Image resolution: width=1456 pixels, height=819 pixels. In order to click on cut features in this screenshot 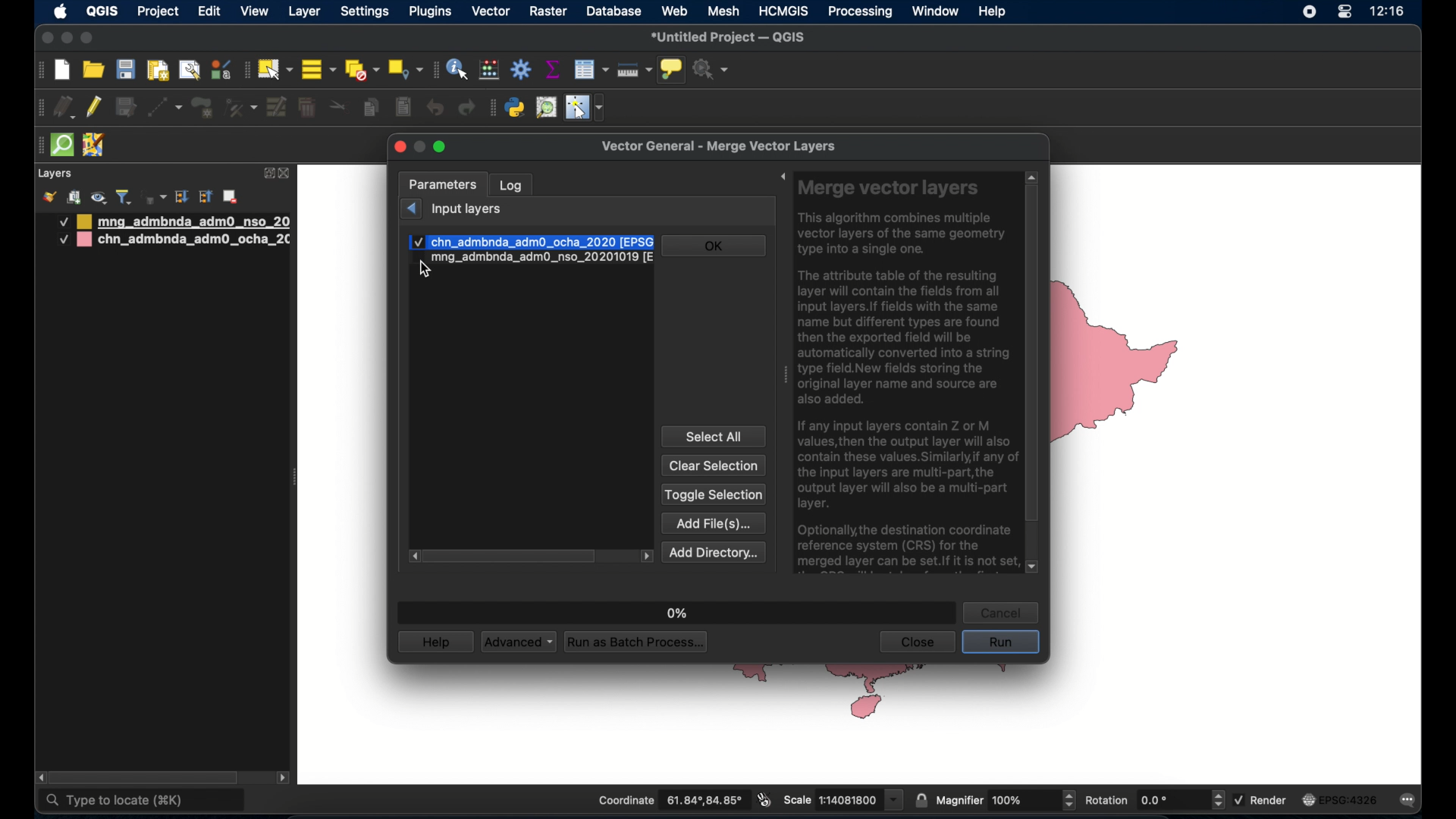, I will do `click(339, 107)`.